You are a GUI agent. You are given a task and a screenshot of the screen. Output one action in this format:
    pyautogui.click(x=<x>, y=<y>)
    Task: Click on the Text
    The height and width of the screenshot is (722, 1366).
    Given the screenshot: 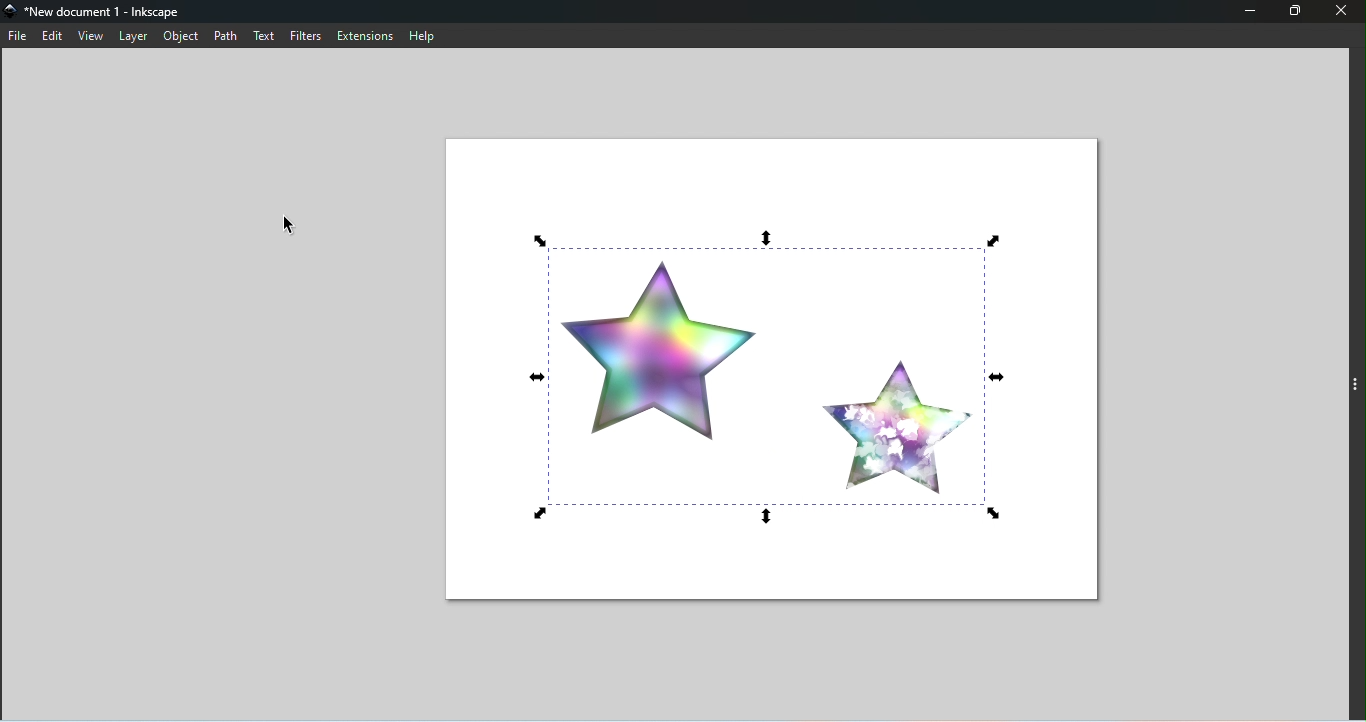 What is the action you would take?
    pyautogui.click(x=268, y=37)
    